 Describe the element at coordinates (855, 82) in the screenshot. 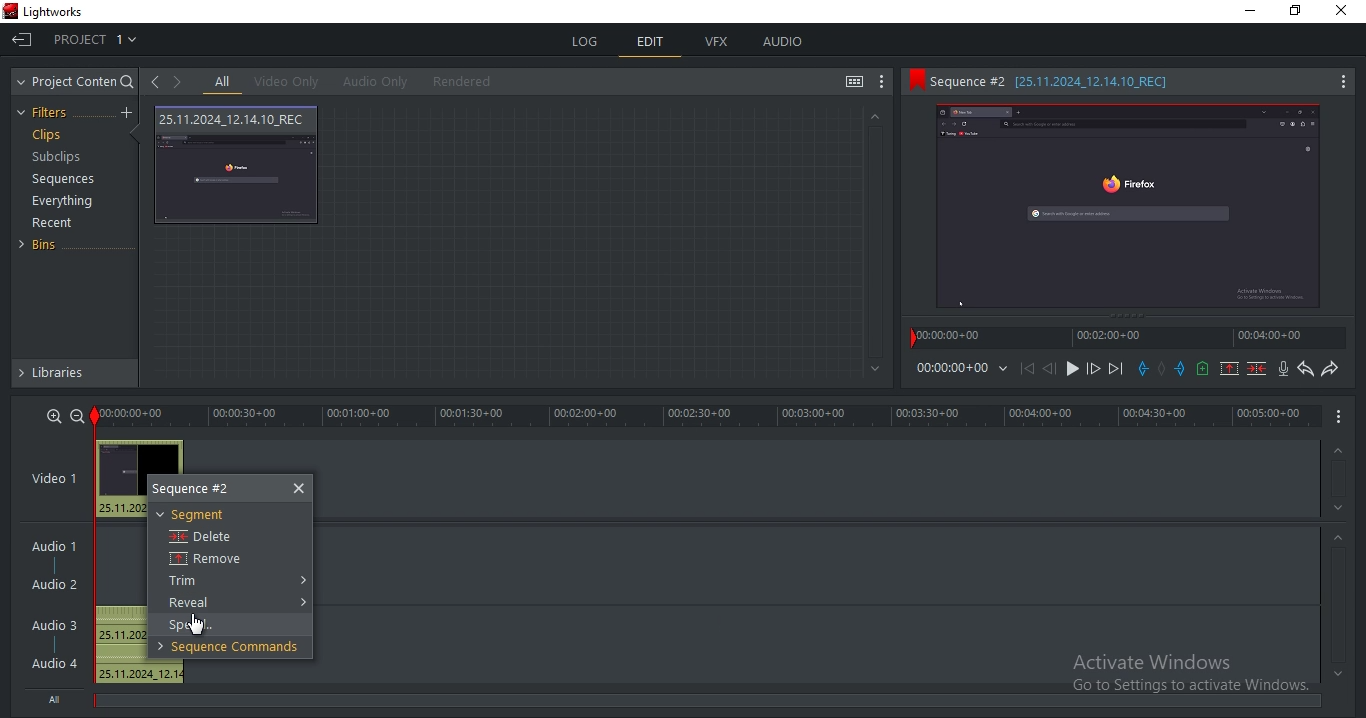

I see `` at that location.